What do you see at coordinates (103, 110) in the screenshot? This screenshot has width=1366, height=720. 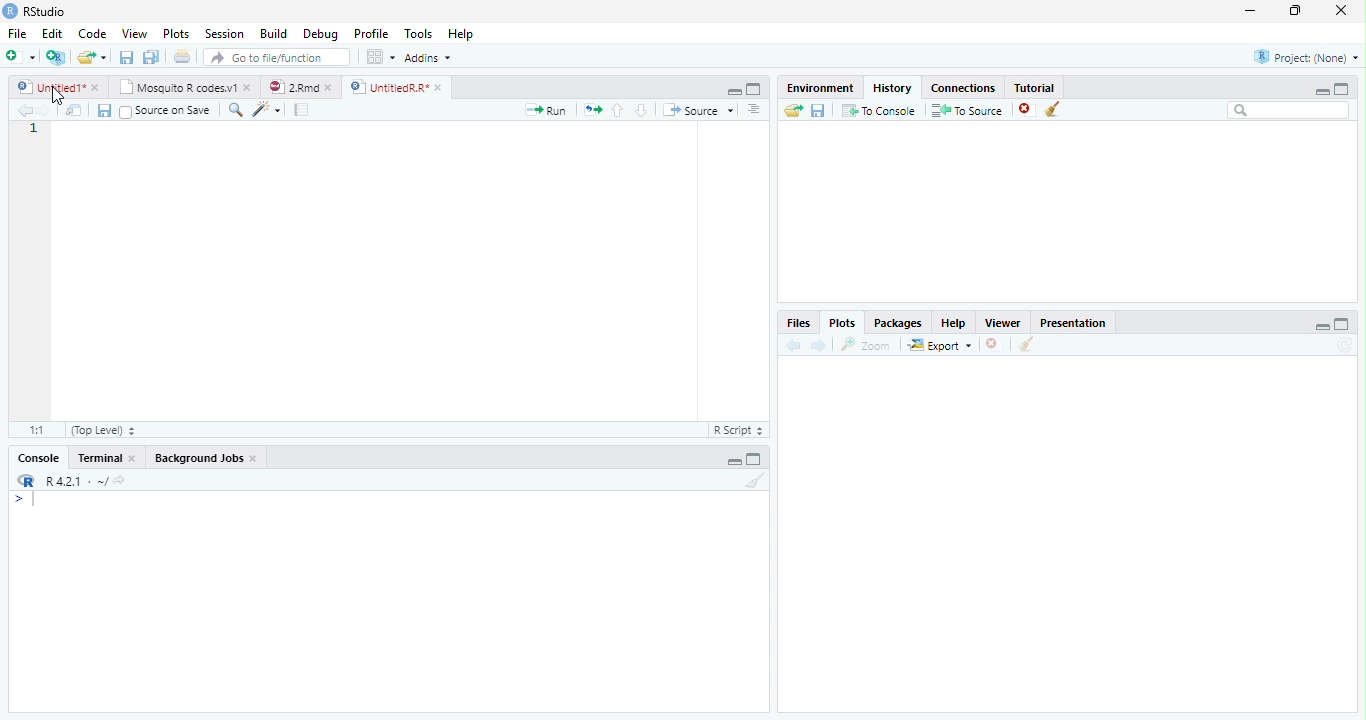 I see `Save current document` at bounding box center [103, 110].